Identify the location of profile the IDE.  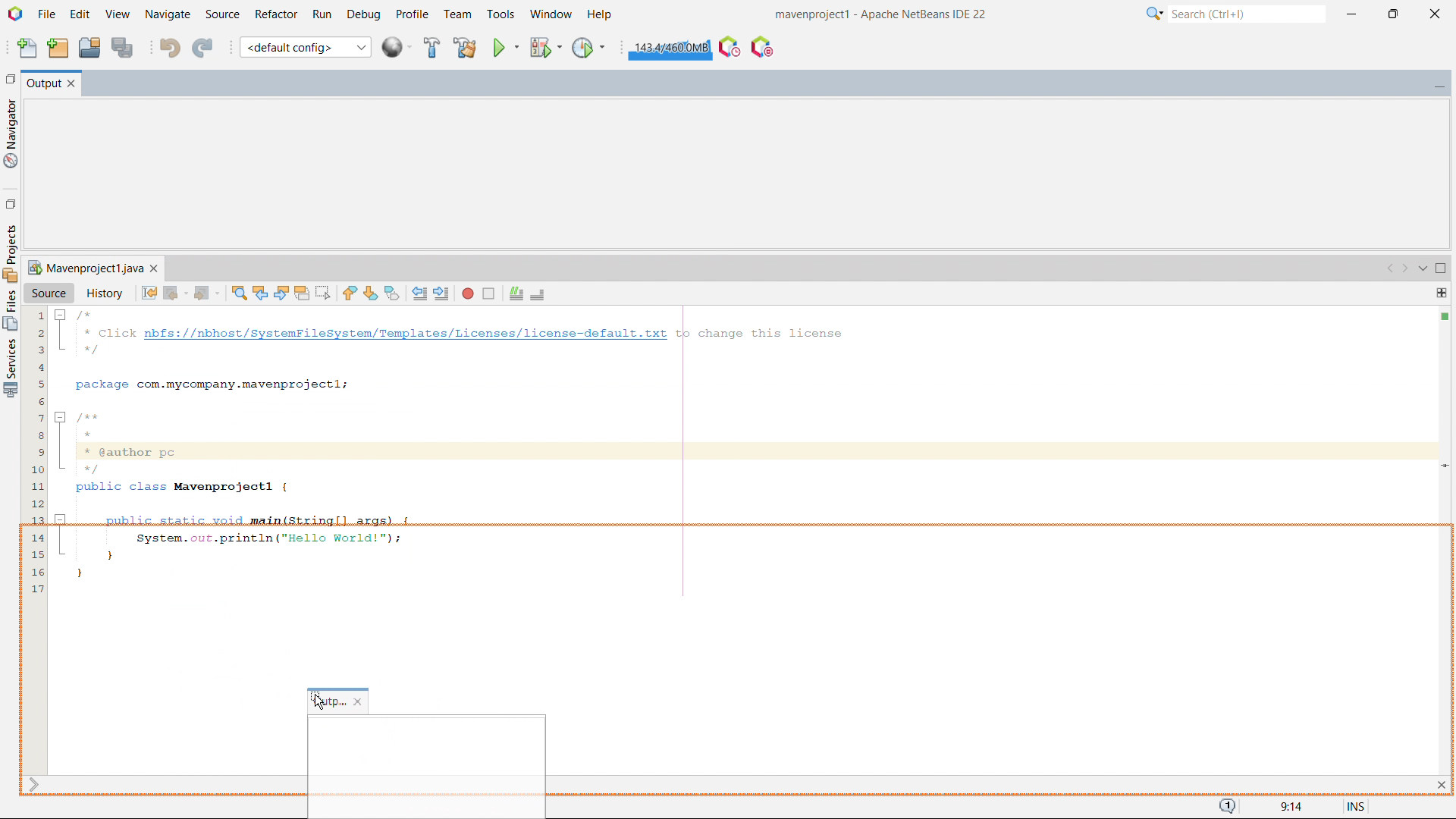
(730, 46).